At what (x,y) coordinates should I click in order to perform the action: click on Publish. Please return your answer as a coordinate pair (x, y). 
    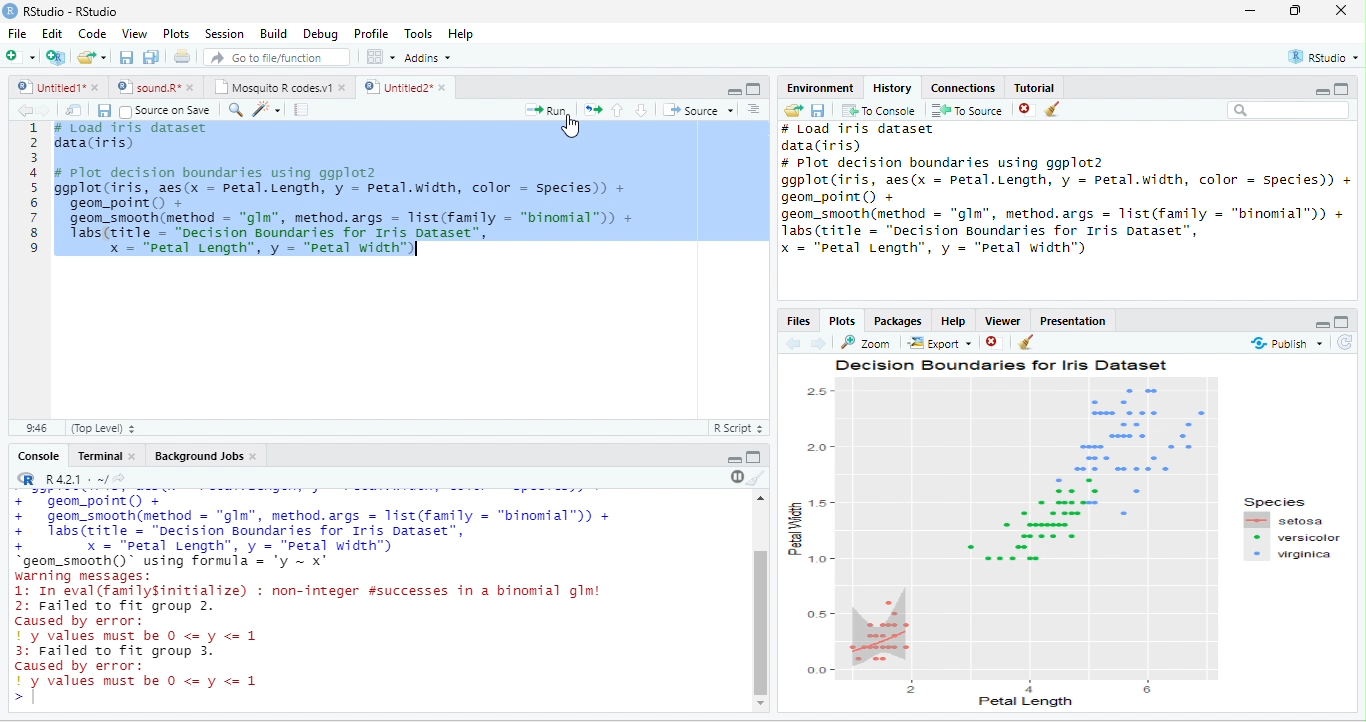
    Looking at the image, I should click on (1284, 343).